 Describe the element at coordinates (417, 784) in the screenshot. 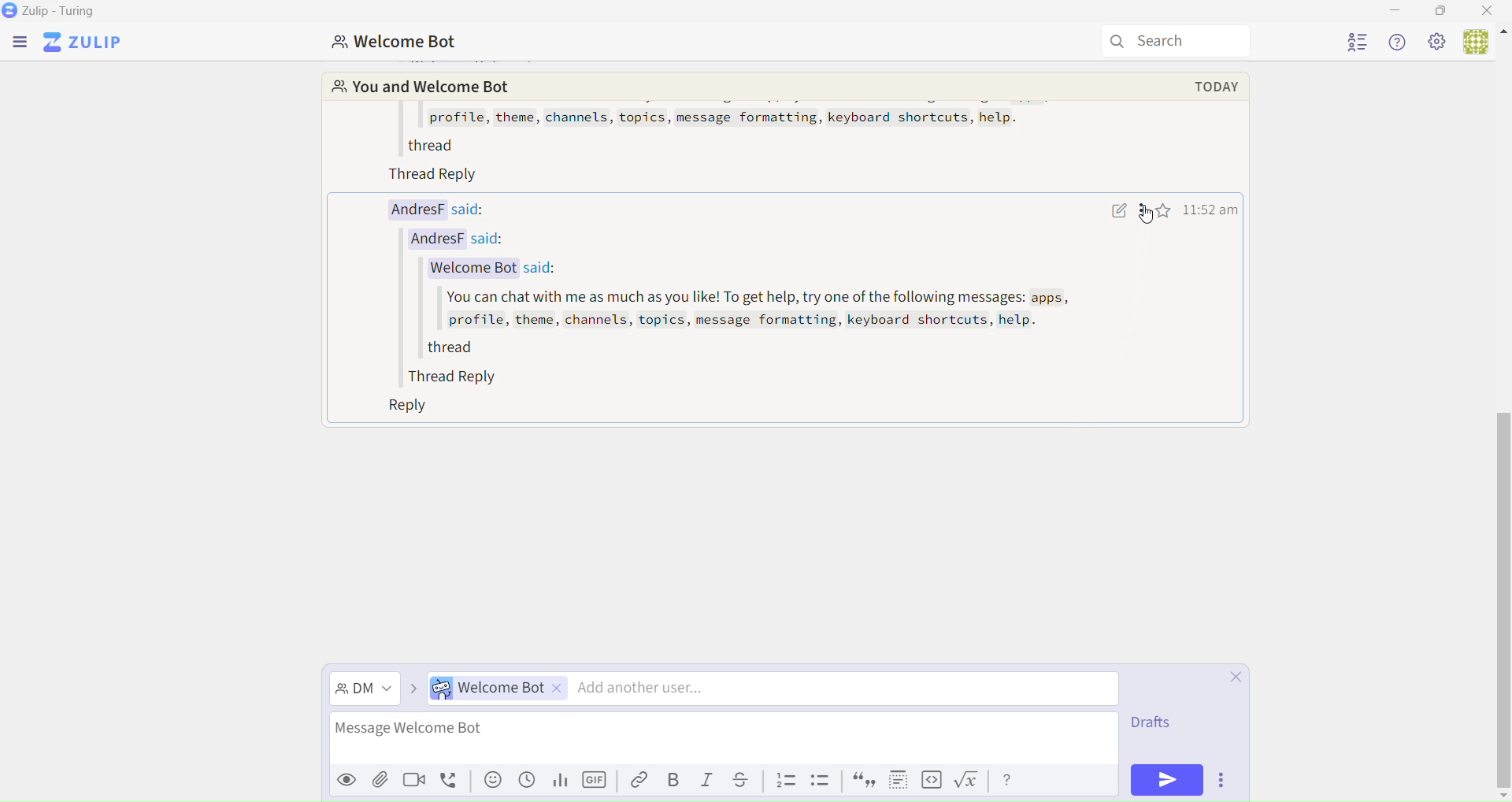

I see `videocall` at that location.